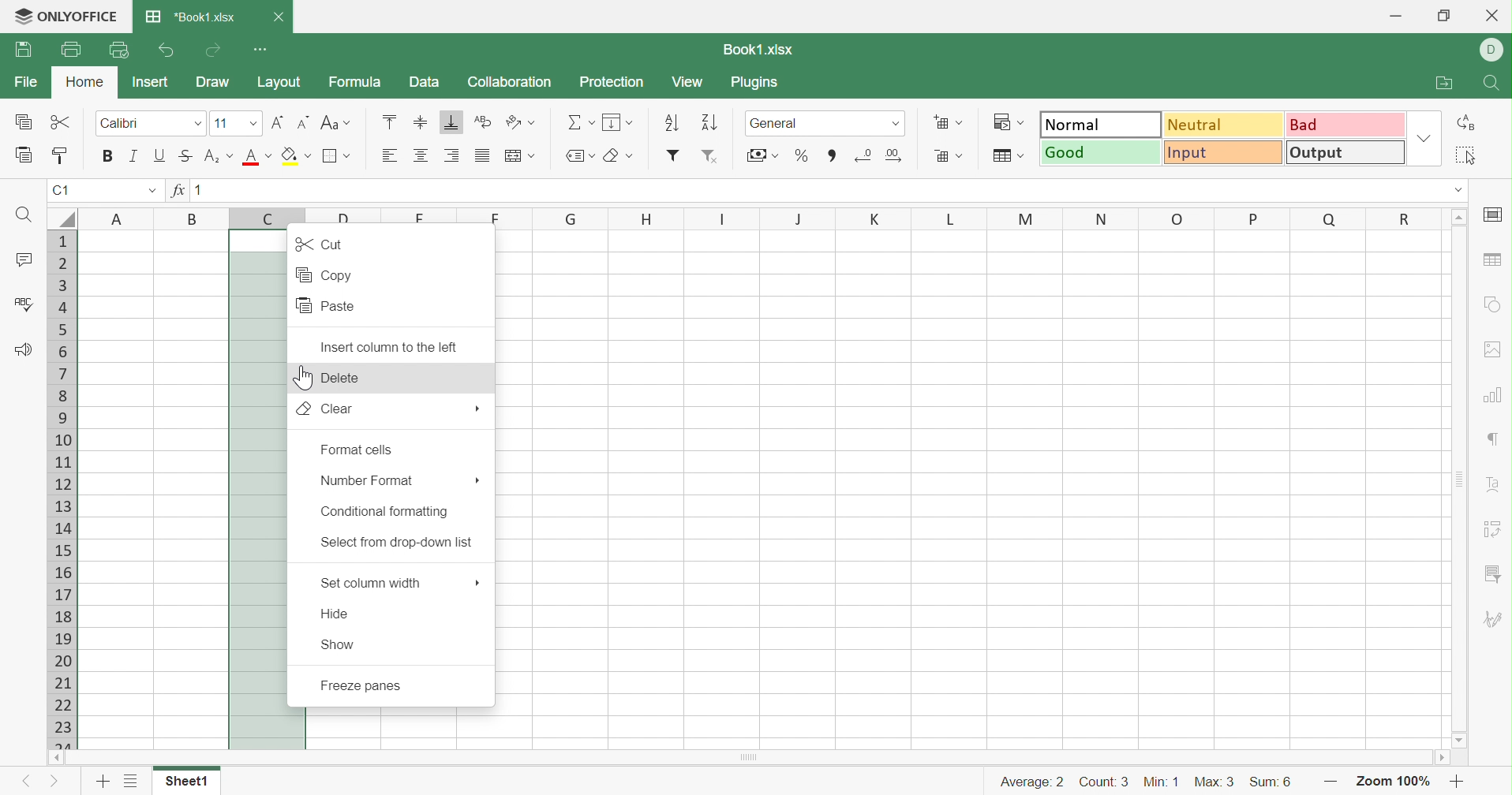 This screenshot has height=795, width=1512. I want to click on Drop Down, so click(252, 122).